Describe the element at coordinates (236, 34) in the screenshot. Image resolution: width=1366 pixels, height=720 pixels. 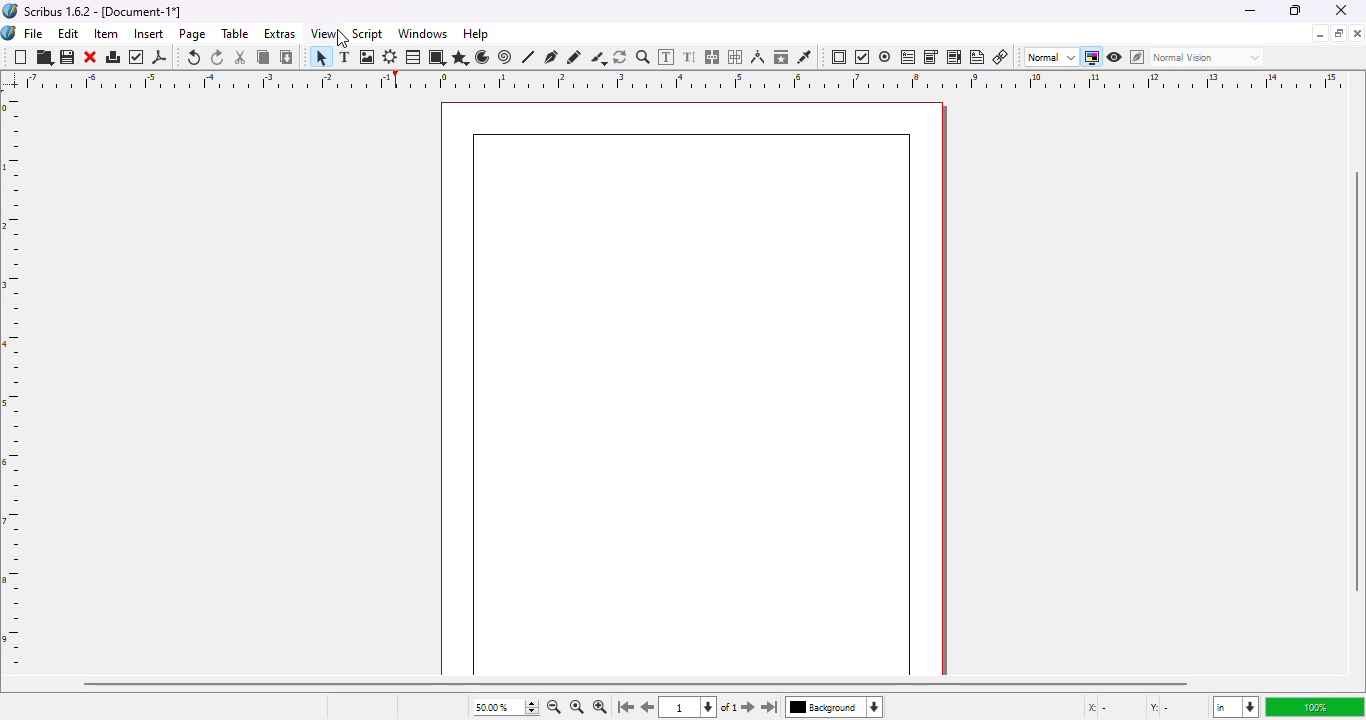
I see `table` at that location.